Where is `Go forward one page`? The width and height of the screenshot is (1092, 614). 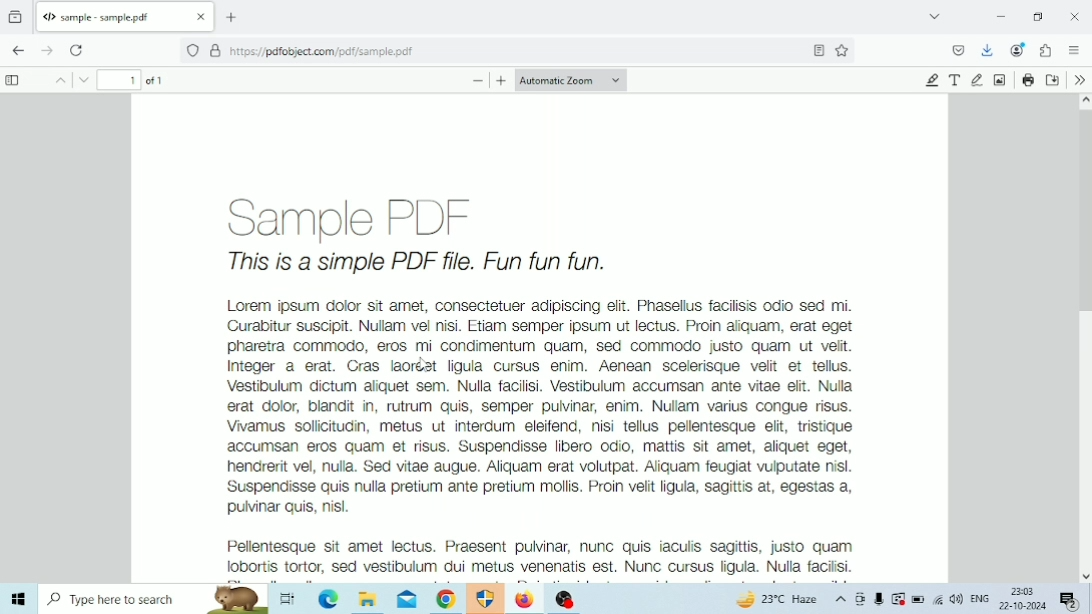 Go forward one page is located at coordinates (46, 50).